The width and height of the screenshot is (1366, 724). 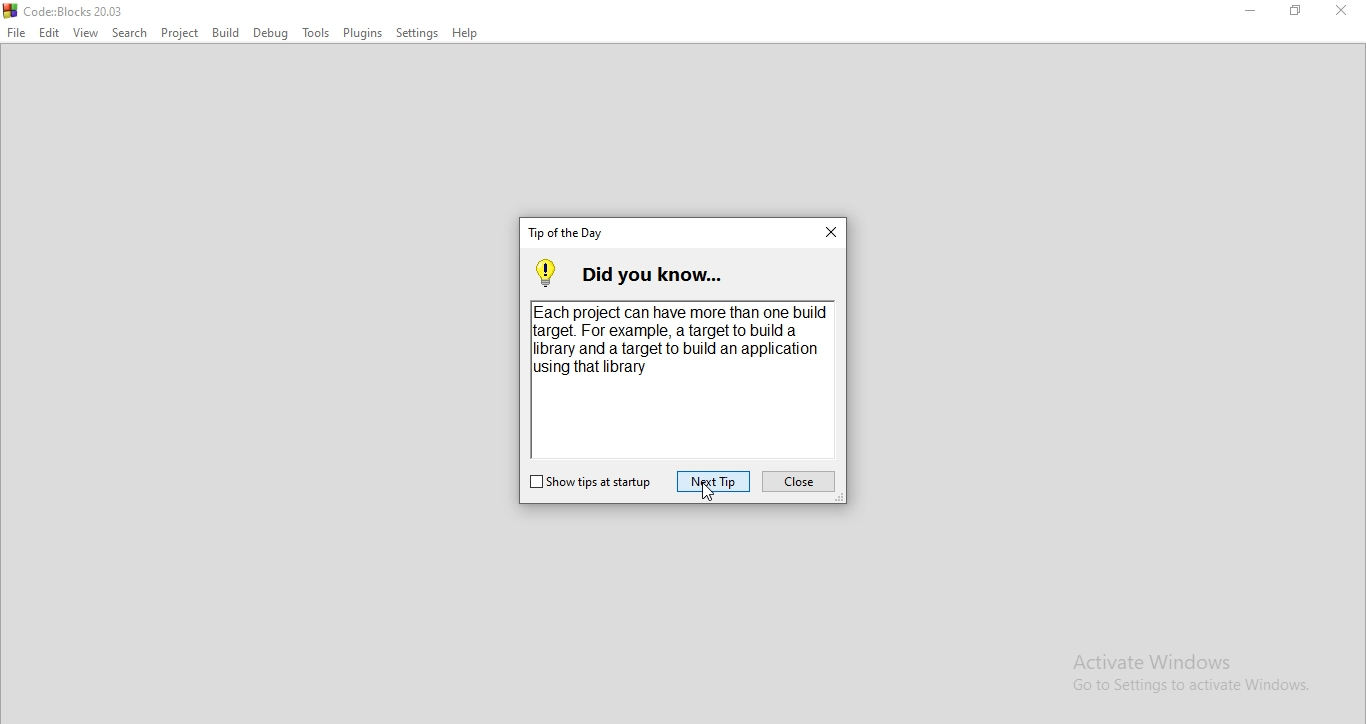 I want to click on Each project can have more than one build target. For example, a target to build a library and a target to build an application using that library, so click(x=682, y=344).